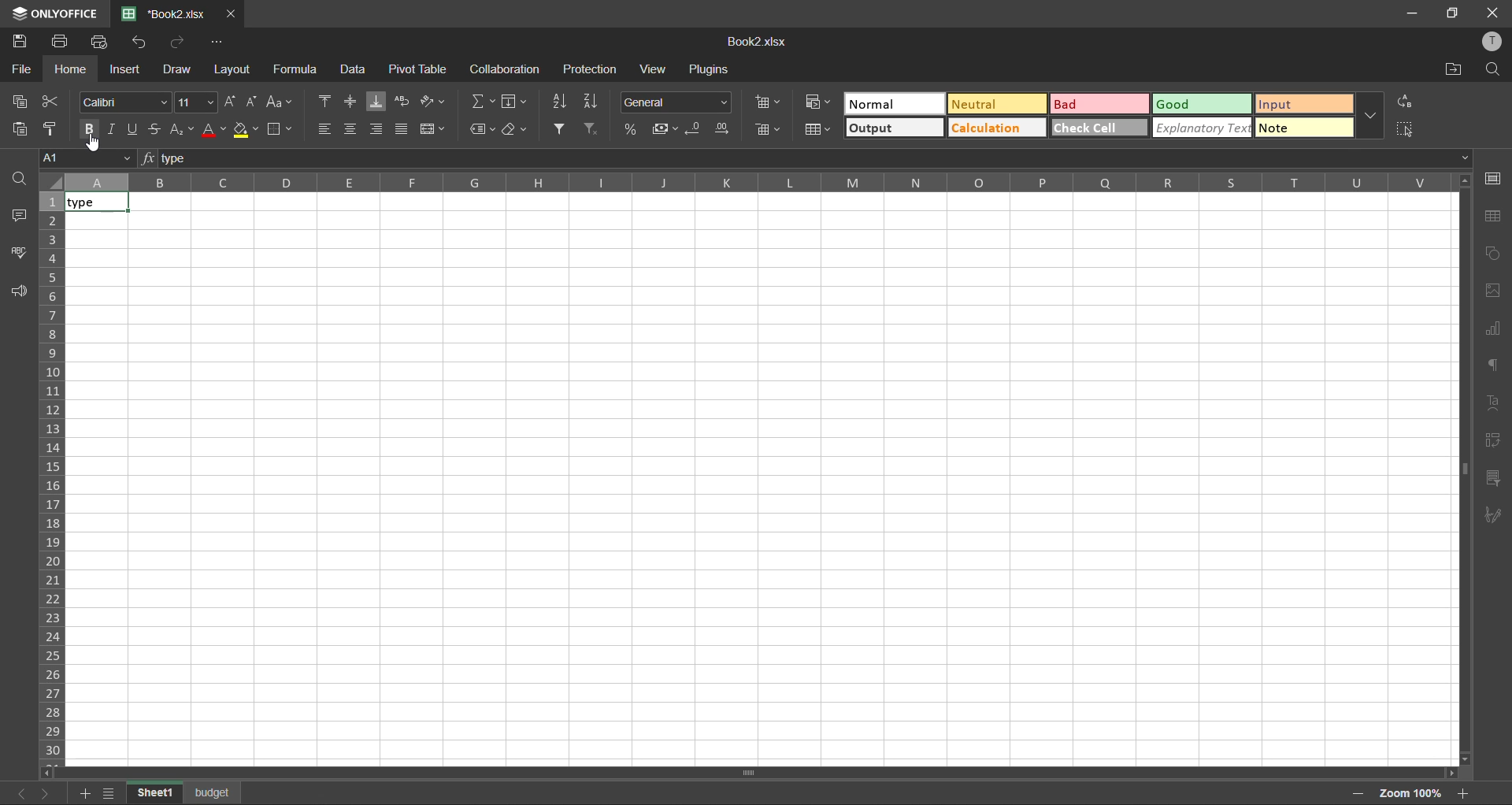 The width and height of the screenshot is (1512, 805). I want to click on neutral, so click(996, 105).